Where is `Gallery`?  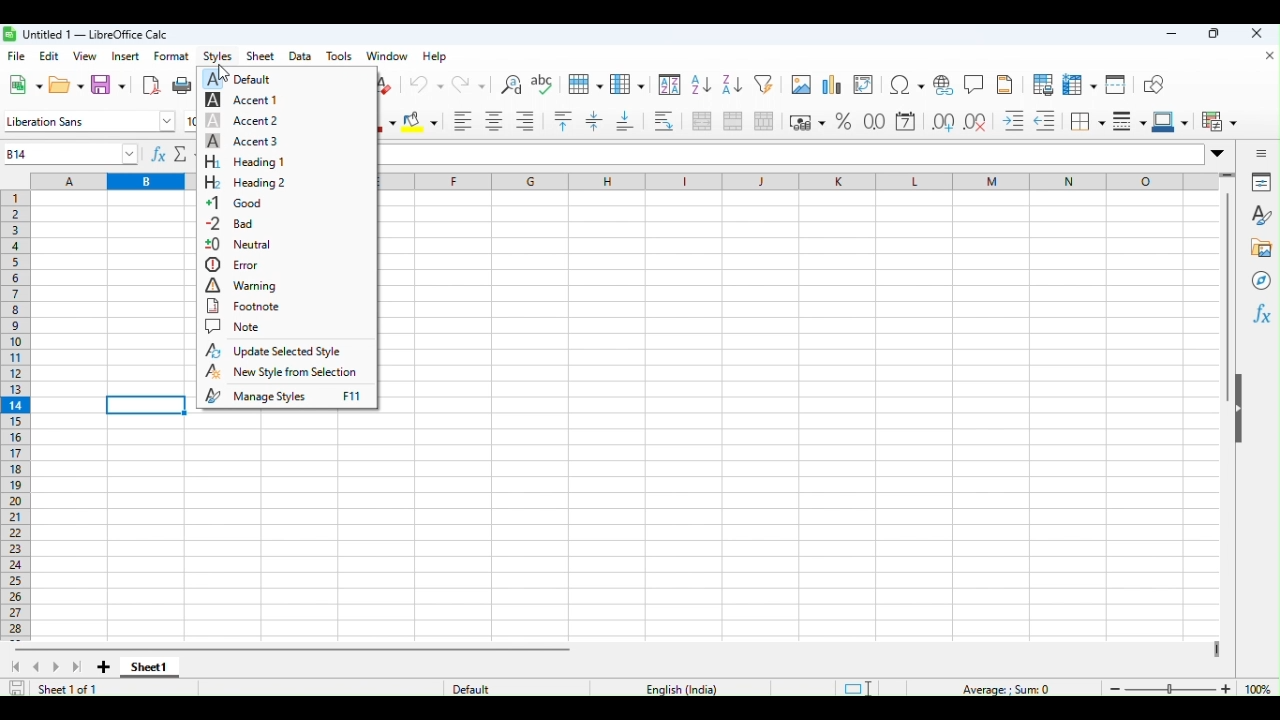
Gallery is located at coordinates (1260, 244).